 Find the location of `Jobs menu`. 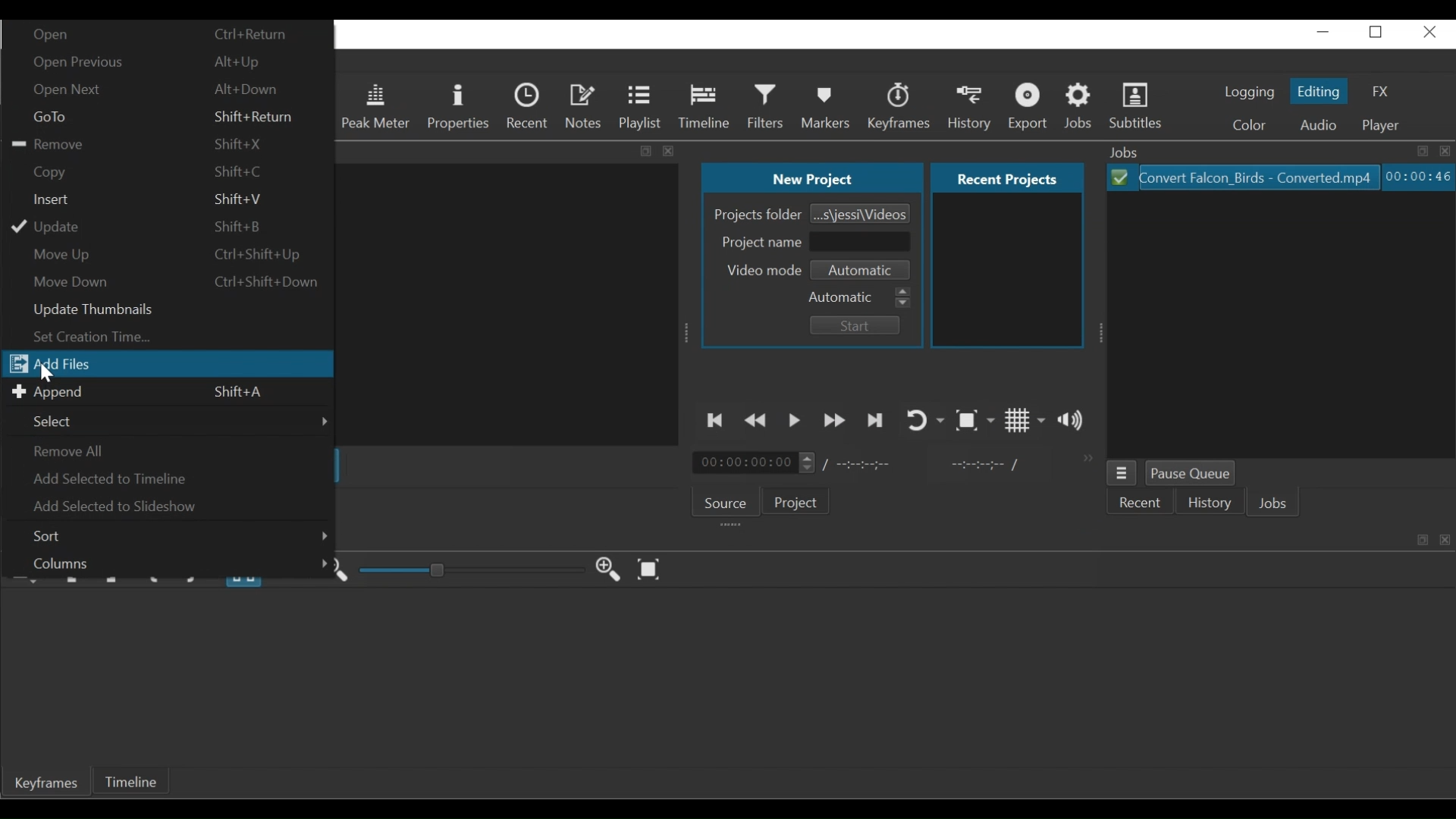

Jobs menu is located at coordinates (1123, 472).